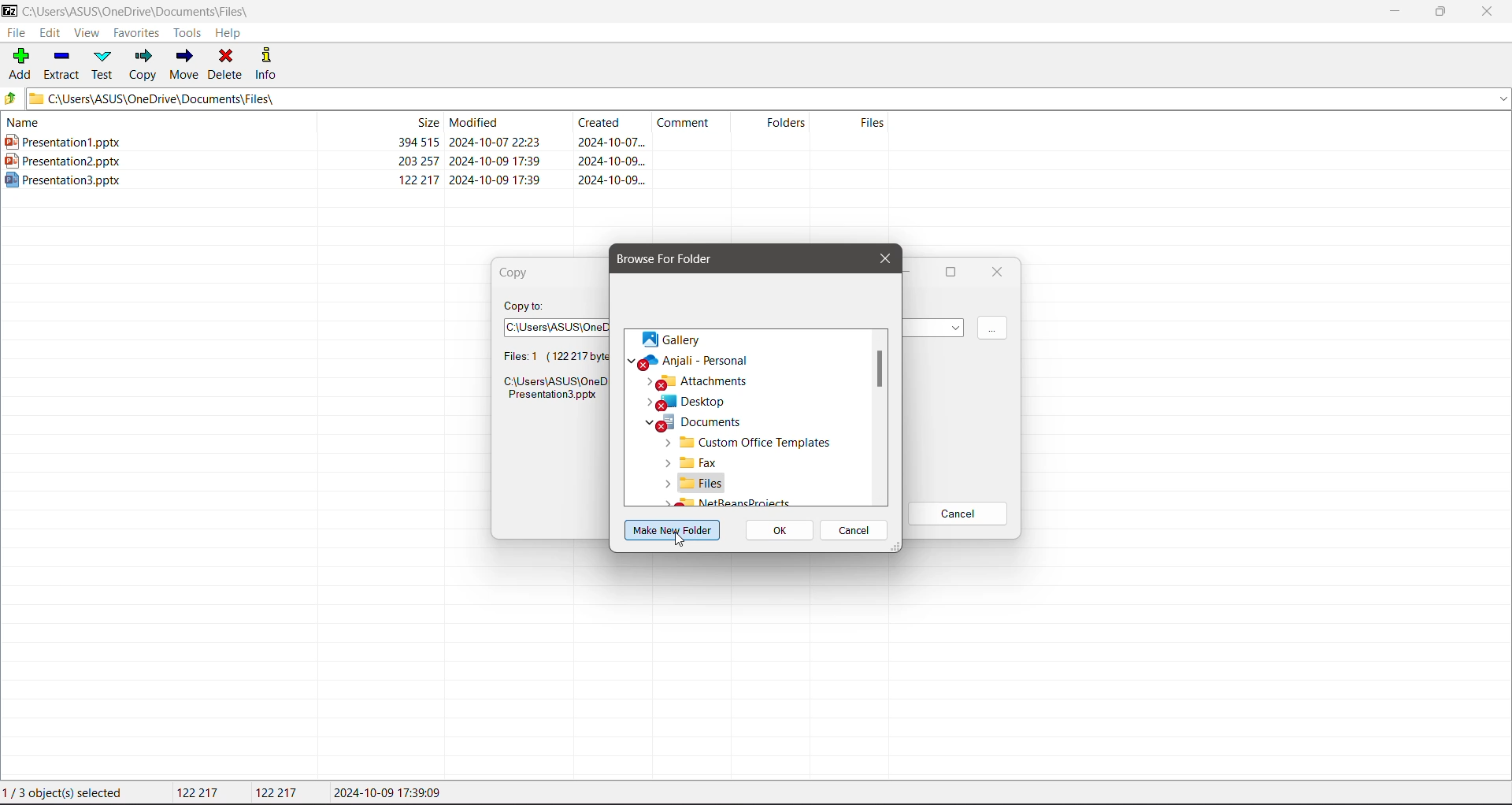 The height and width of the screenshot is (805, 1512). Describe the element at coordinates (683, 543) in the screenshot. I see `cursor` at that location.